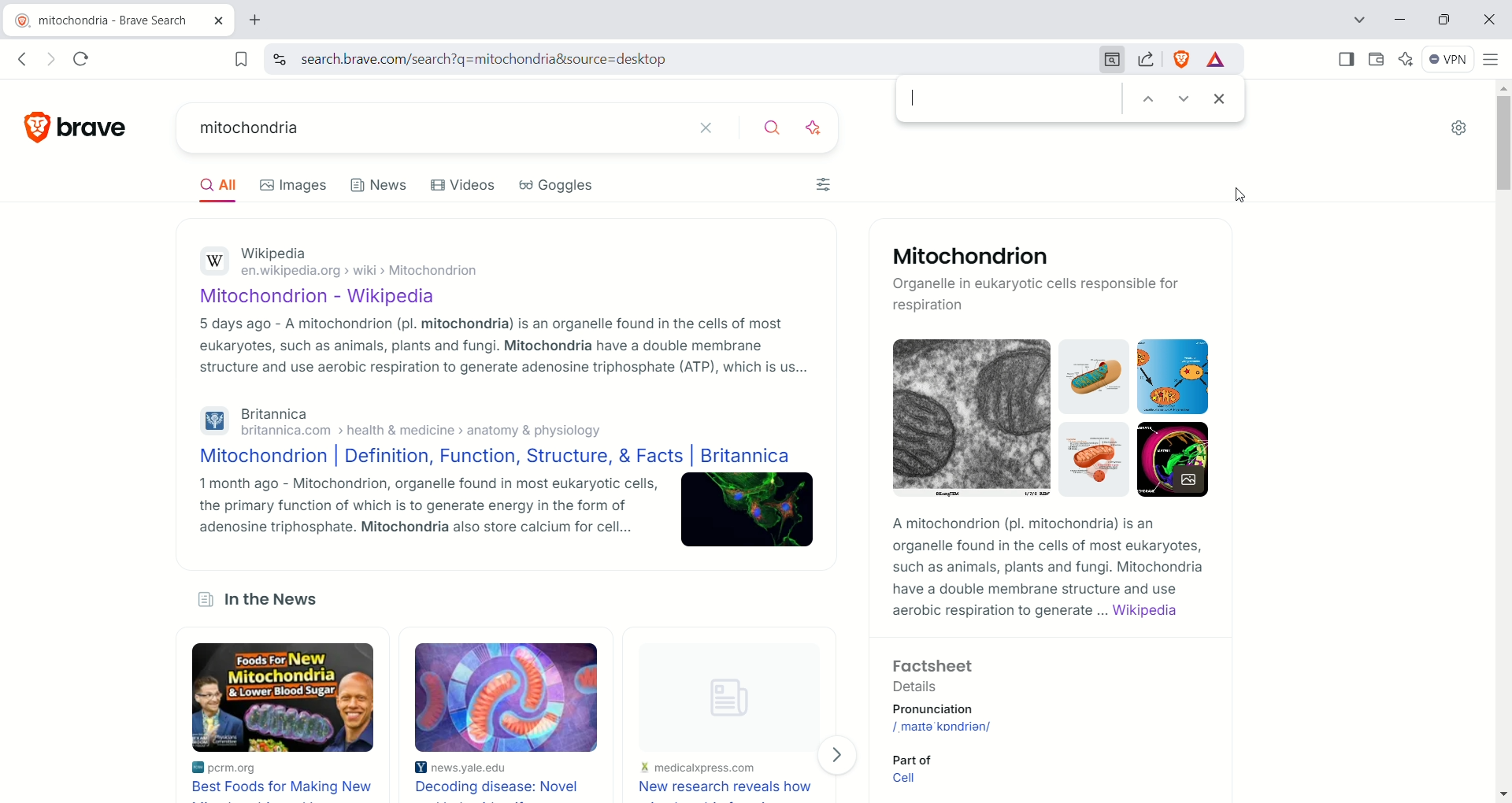  What do you see at coordinates (77, 60) in the screenshot?
I see `reload this page` at bounding box center [77, 60].